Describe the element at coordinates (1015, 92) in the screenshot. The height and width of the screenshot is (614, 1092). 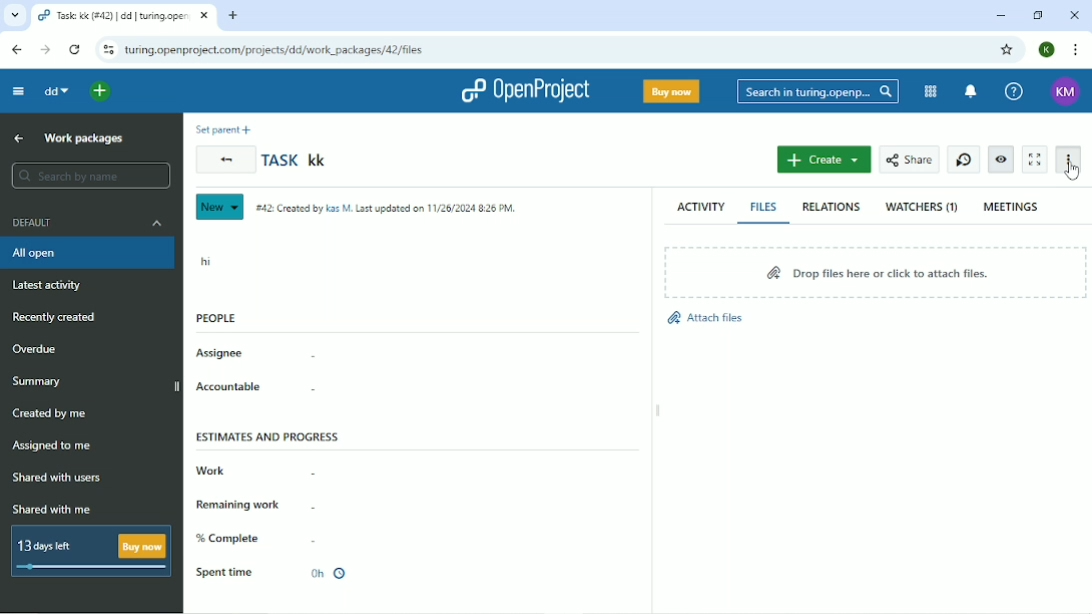
I see `Help` at that location.